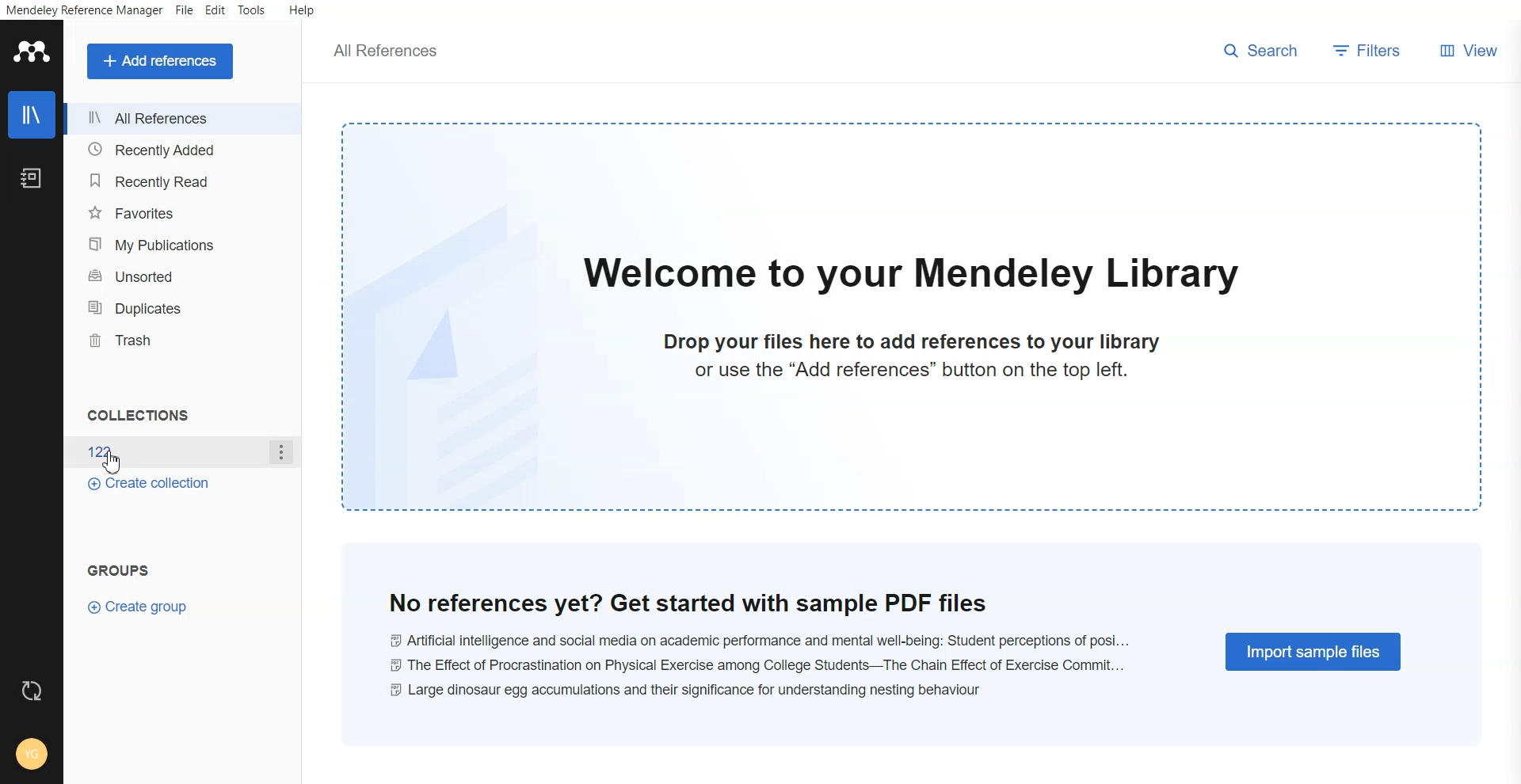  What do you see at coordinates (142, 607) in the screenshot?
I see `Create group` at bounding box center [142, 607].